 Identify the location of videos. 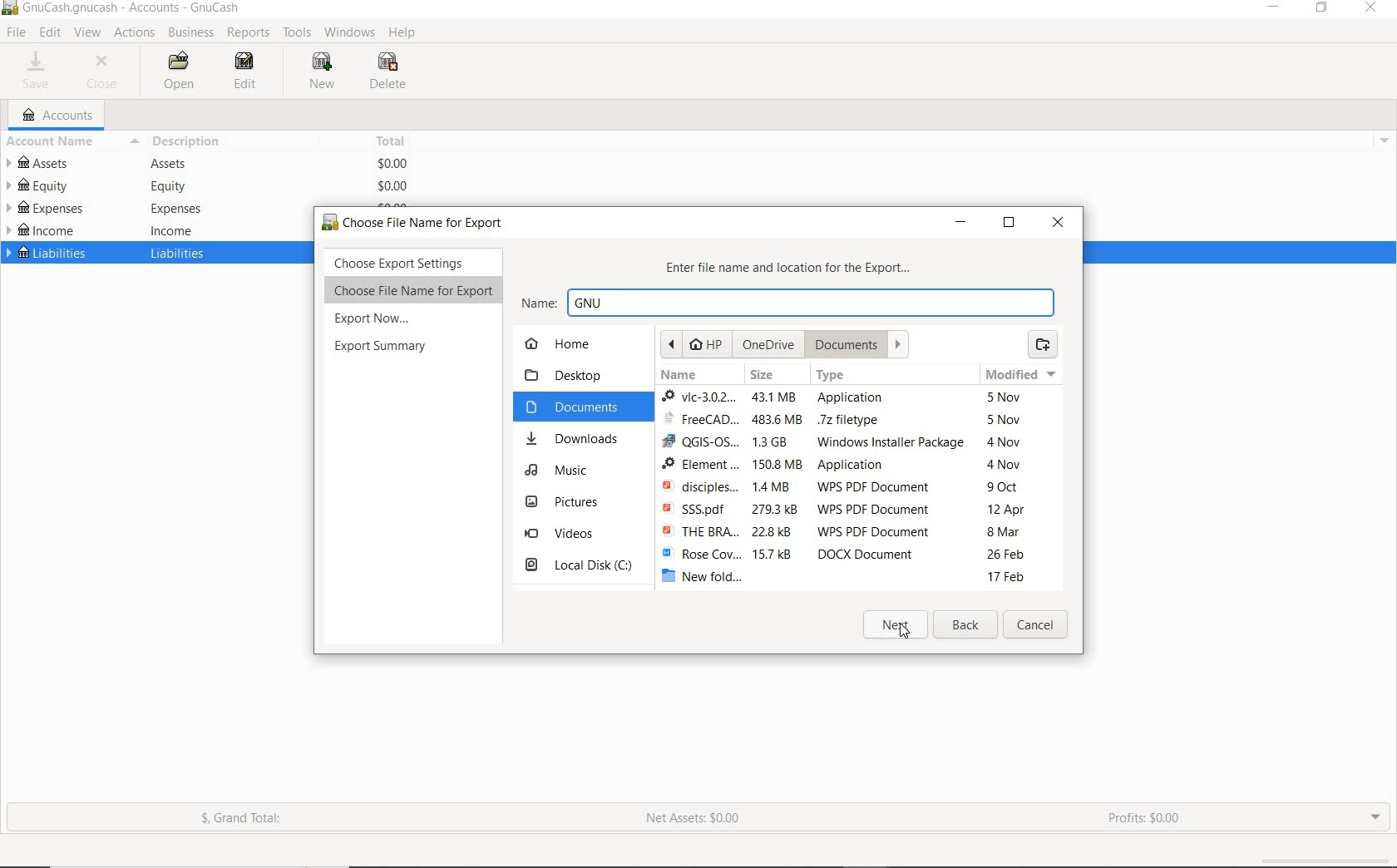
(566, 534).